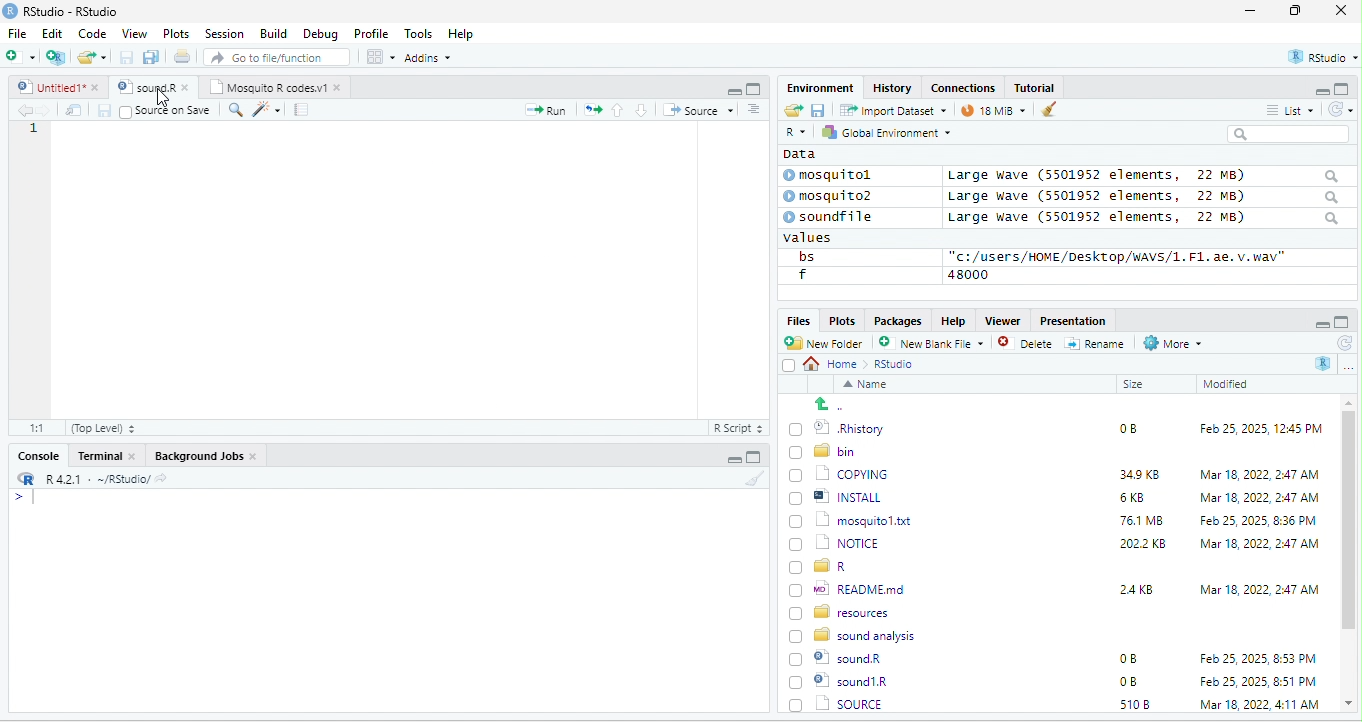 Image resolution: width=1362 pixels, height=722 pixels. What do you see at coordinates (54, 33) in the screenshot?
I see `Edit` at bounding box center [54, 33].